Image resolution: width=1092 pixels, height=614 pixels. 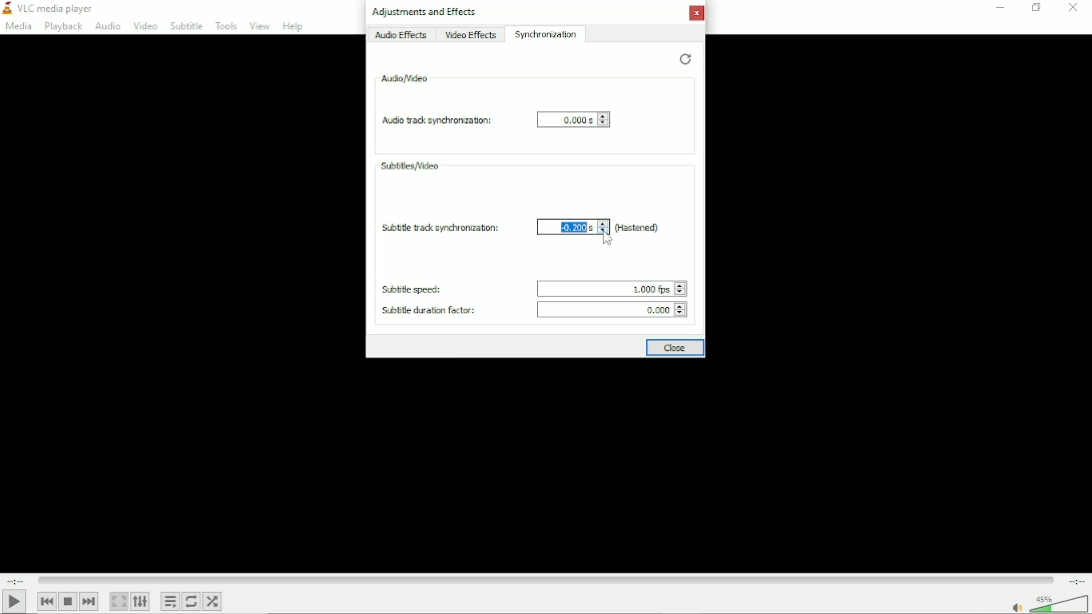 What do you see at coordinates (69, 601) in the screenshot?
I see `Stop playlist` at bounding box center [69, 601].